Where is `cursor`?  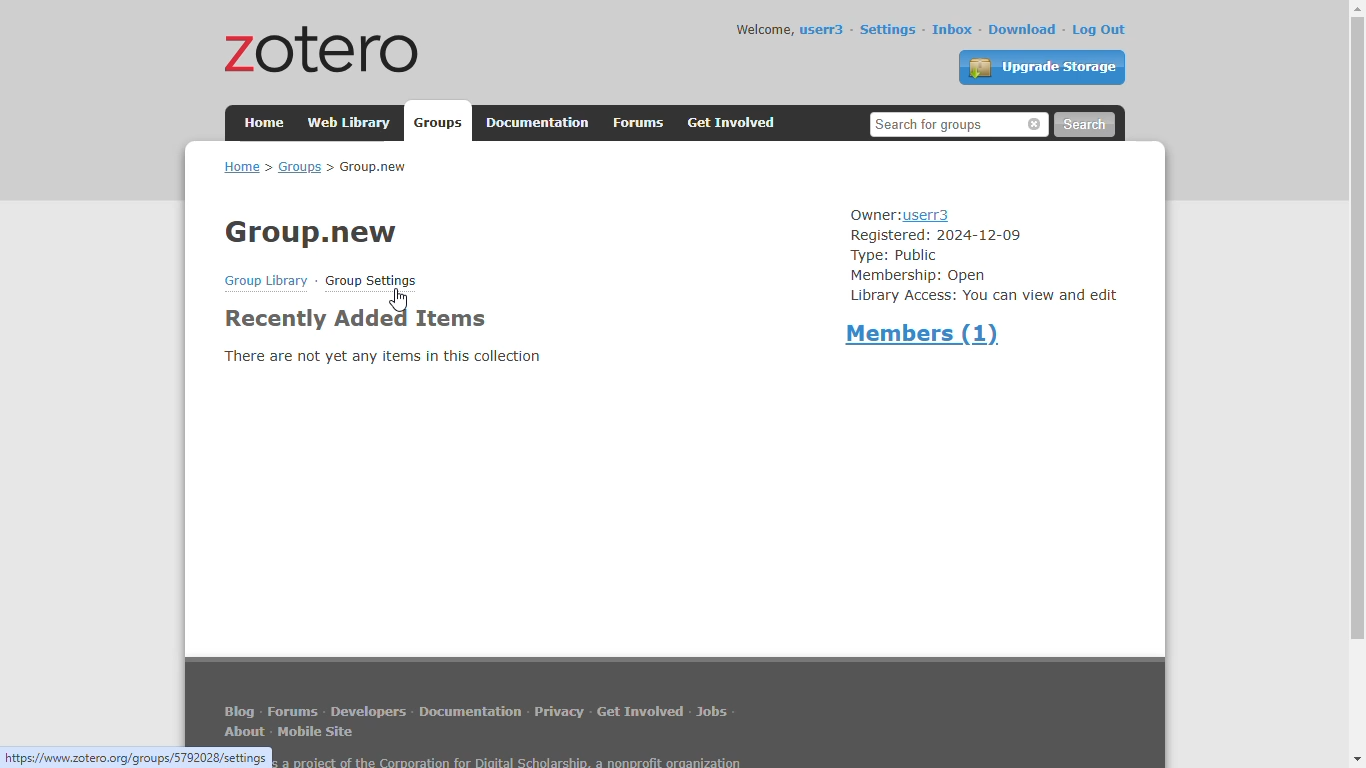
cursor is located at coordinates (399, 300).